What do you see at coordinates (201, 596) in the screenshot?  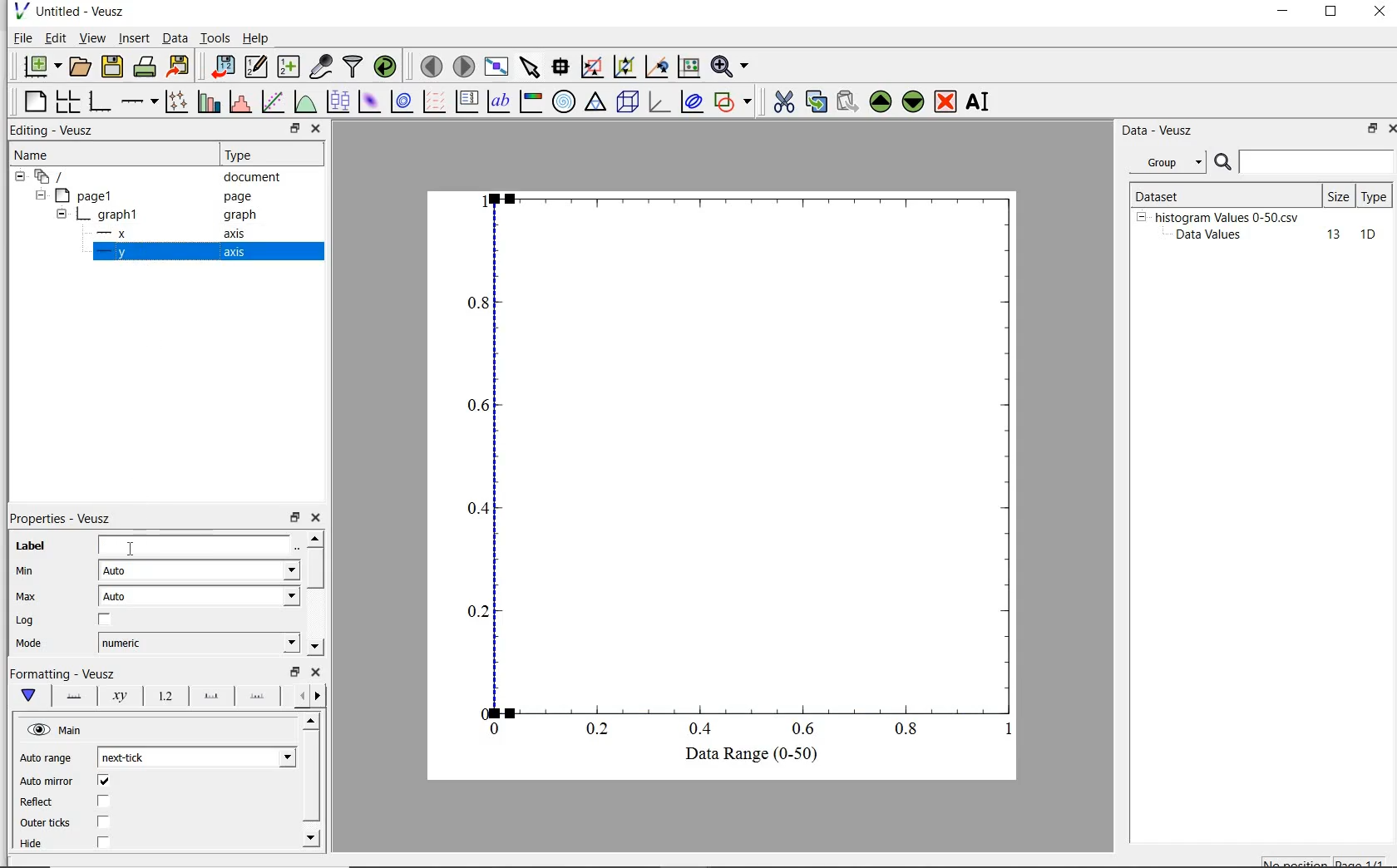 I see `auto` at bounding box center [201, 596].